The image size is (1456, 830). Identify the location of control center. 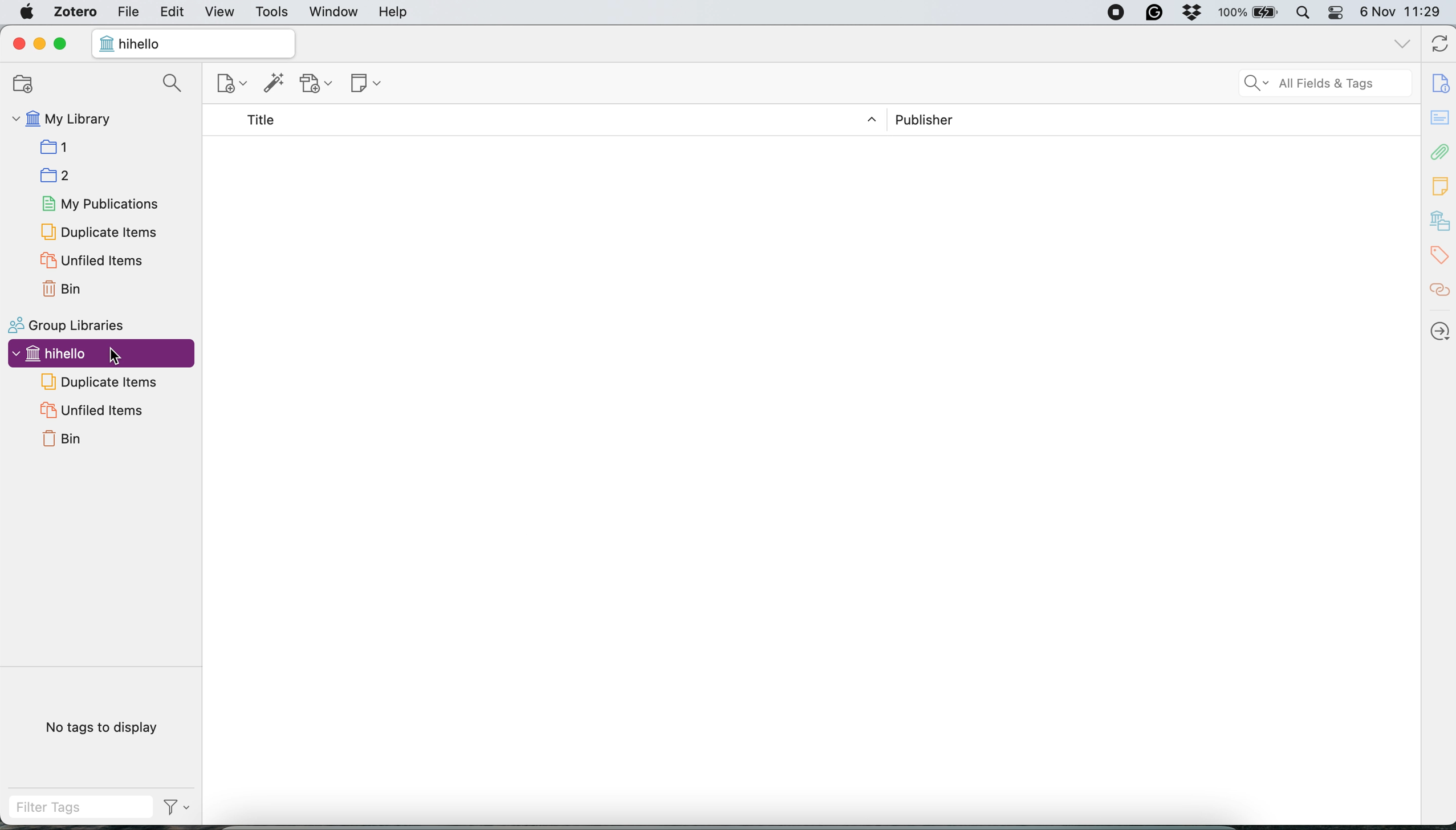
(1336, 14).